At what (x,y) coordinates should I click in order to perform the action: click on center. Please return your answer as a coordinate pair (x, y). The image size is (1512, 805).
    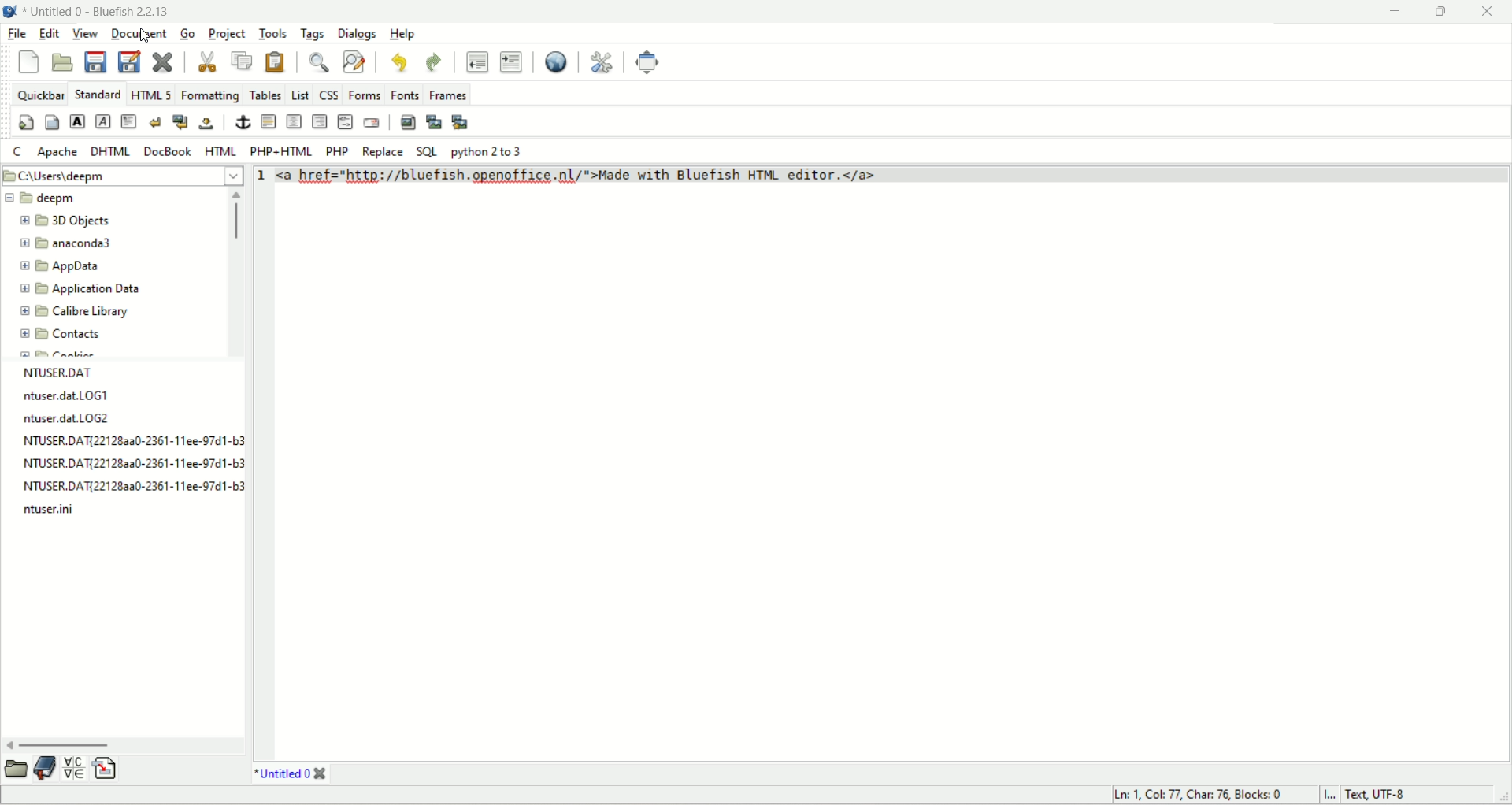
    Looking at the image, I should click on (295, 121).